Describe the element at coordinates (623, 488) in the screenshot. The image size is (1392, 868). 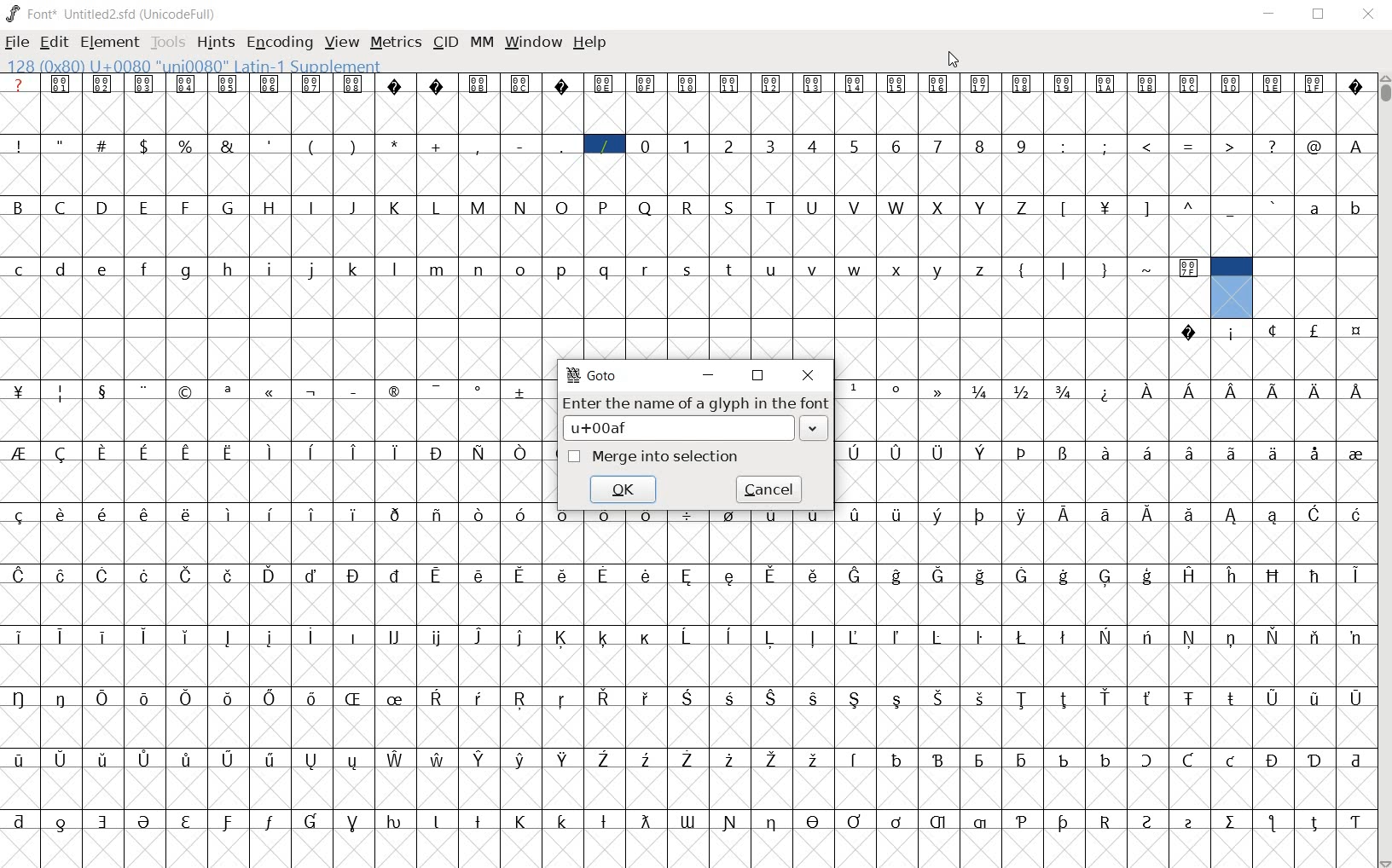
I see `Ok` at that location.